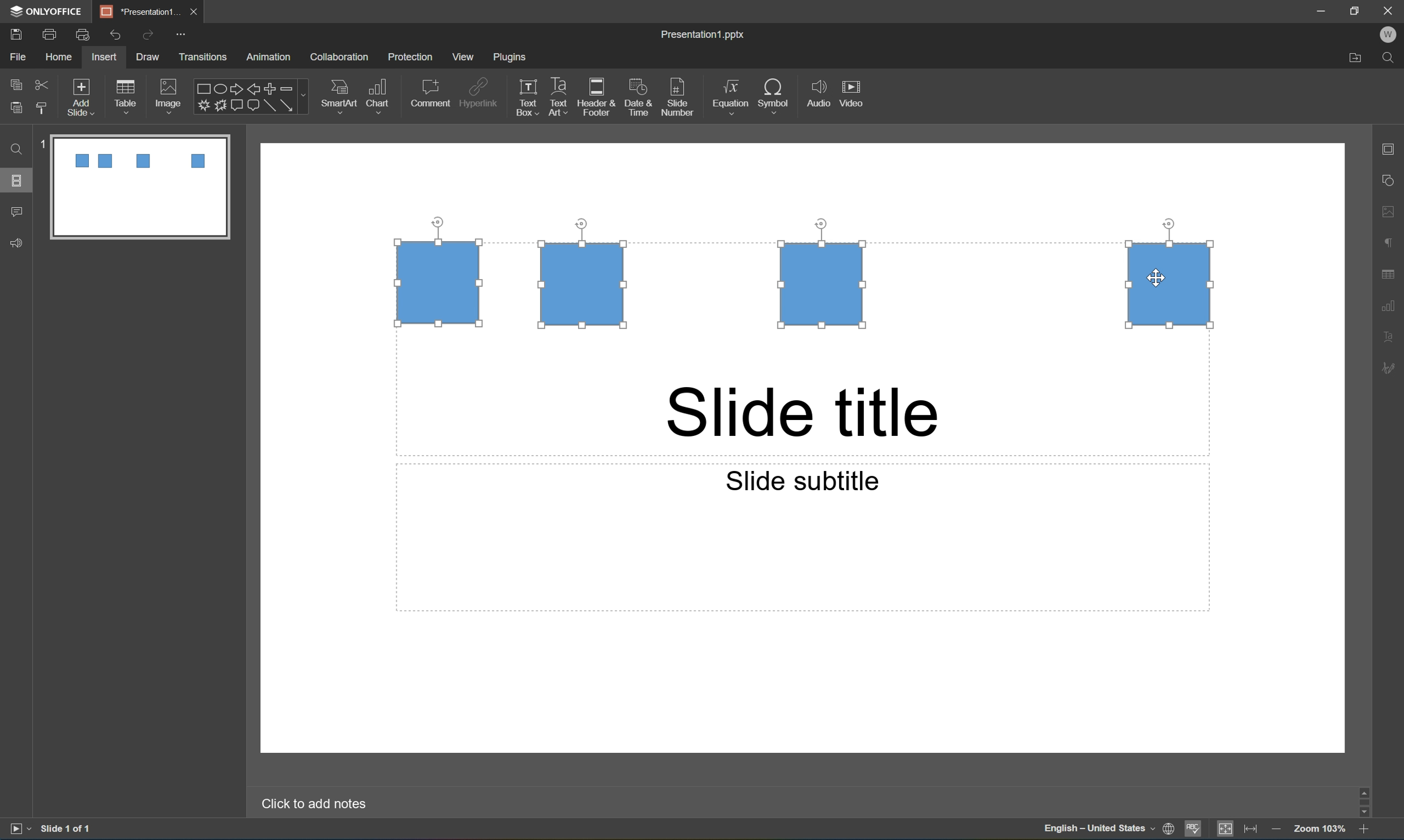 The height and width of the screenshot is (840, 1404). I want to click on text art settings, so click(1394, 337).